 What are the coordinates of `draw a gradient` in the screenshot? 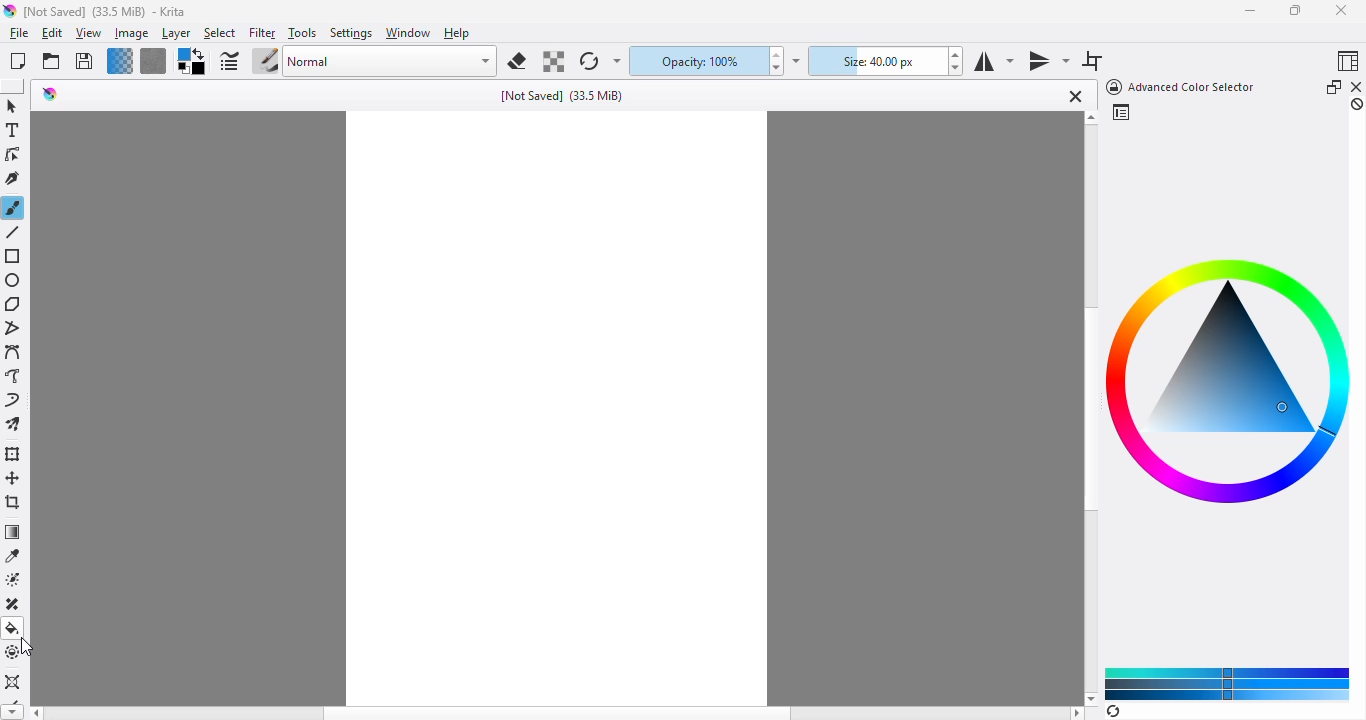 It's located at (13, 531).